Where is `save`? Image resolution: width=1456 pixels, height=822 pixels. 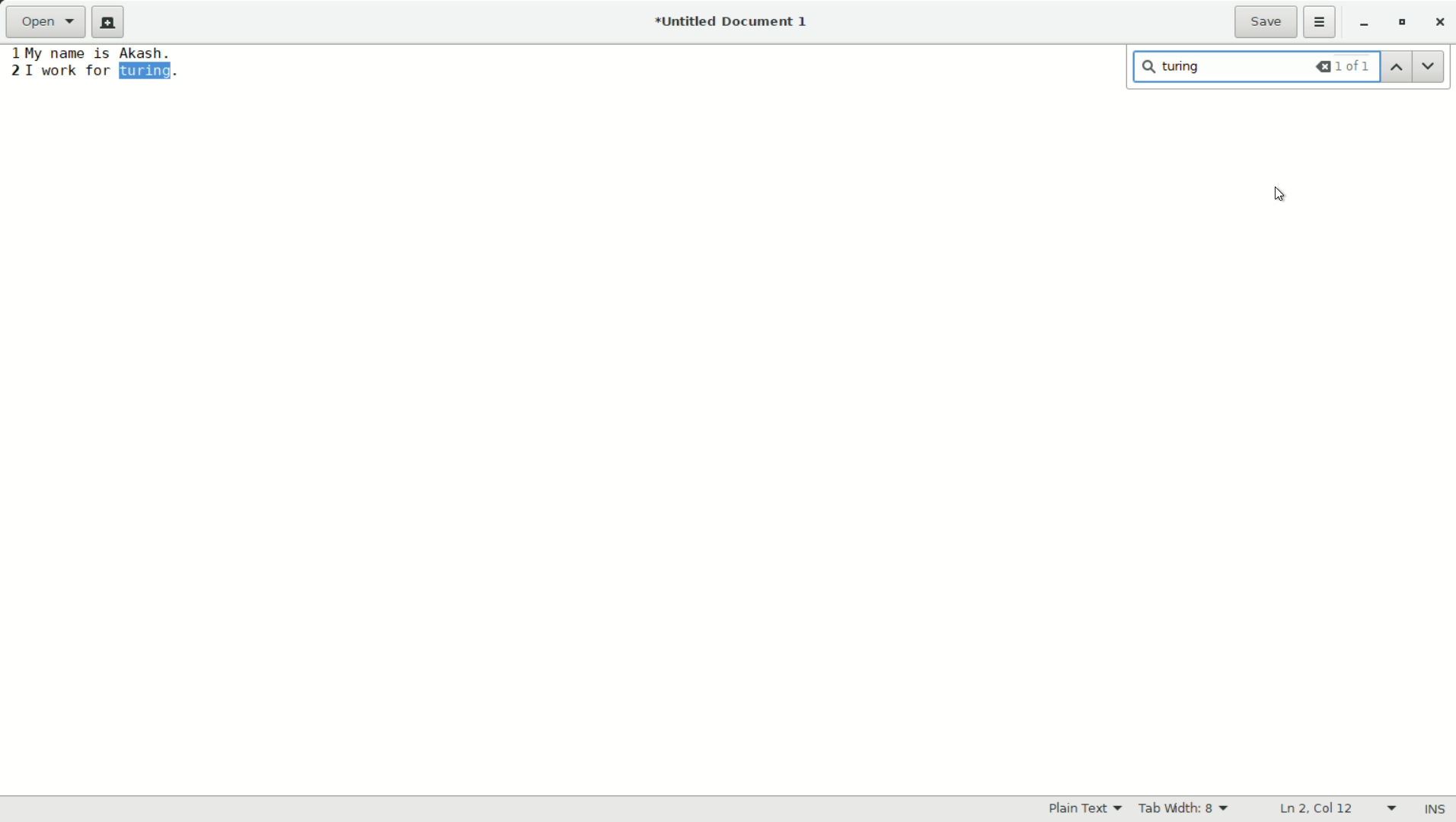 save is located at coordinates (1267, 22).